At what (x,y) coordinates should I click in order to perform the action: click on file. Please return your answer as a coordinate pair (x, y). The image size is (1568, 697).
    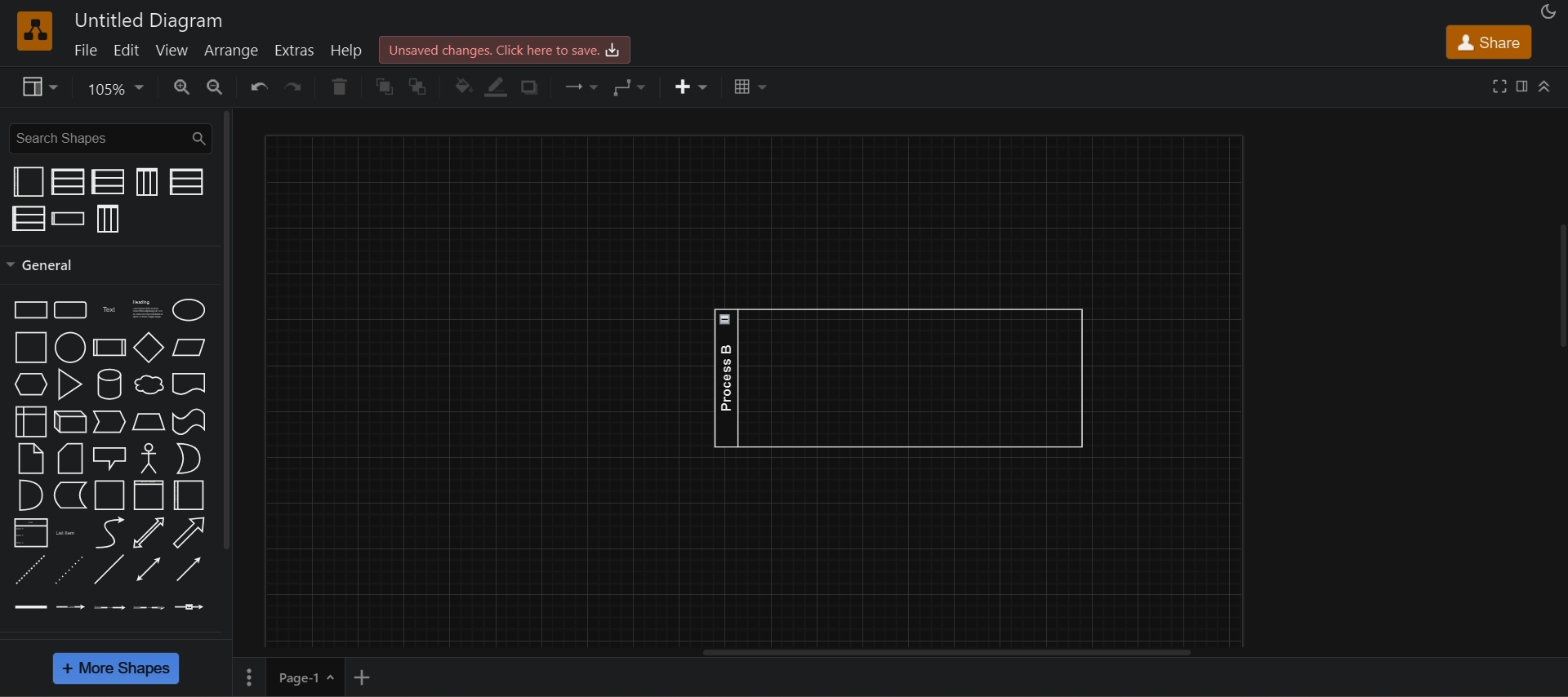
    Looking at the image, I should click on (89, 49).